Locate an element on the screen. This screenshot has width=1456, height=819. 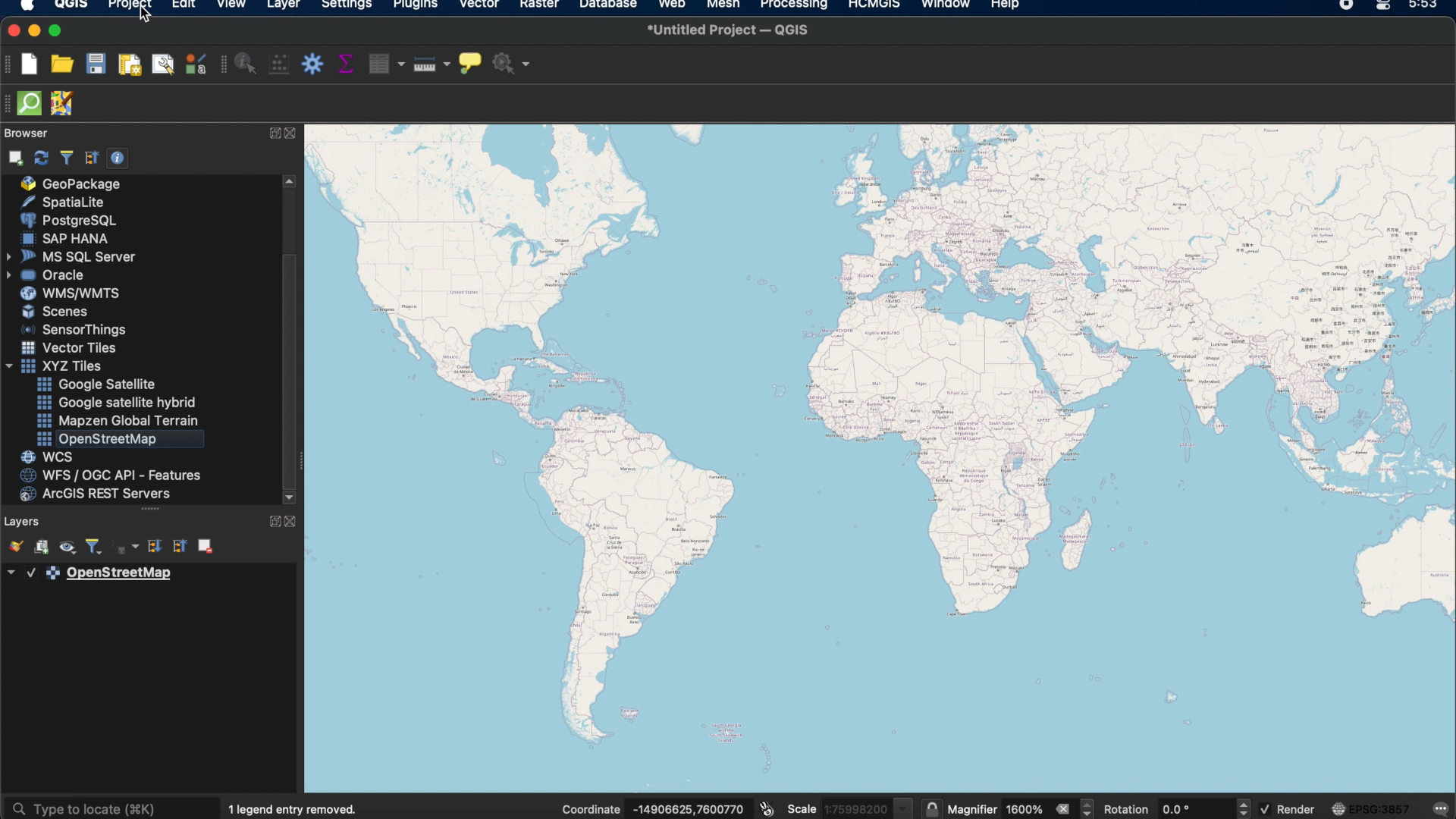
geo package is located at coordinates (75, 184).